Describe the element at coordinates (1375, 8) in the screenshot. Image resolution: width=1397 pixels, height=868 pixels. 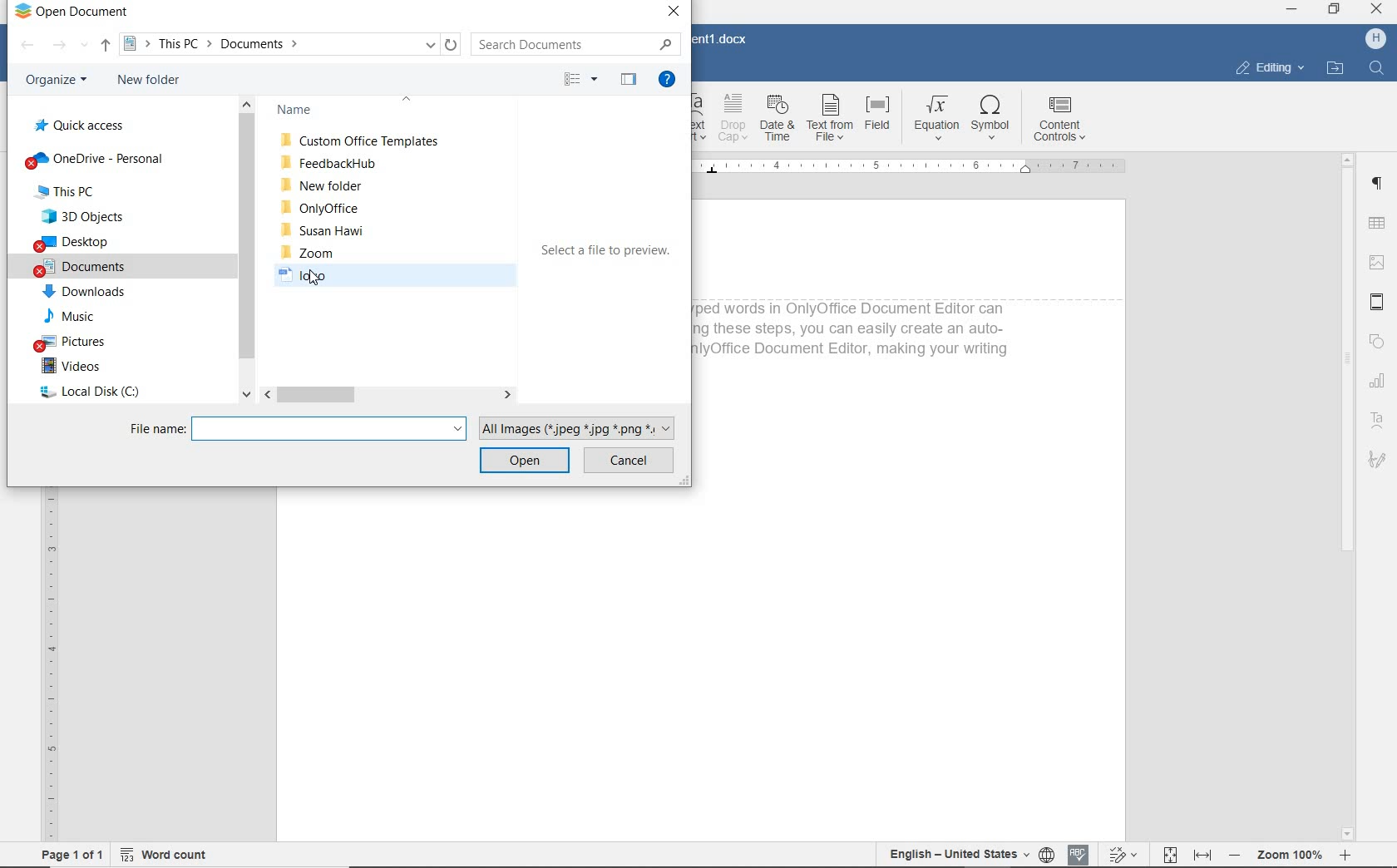
I see `CLOSE` at that location.